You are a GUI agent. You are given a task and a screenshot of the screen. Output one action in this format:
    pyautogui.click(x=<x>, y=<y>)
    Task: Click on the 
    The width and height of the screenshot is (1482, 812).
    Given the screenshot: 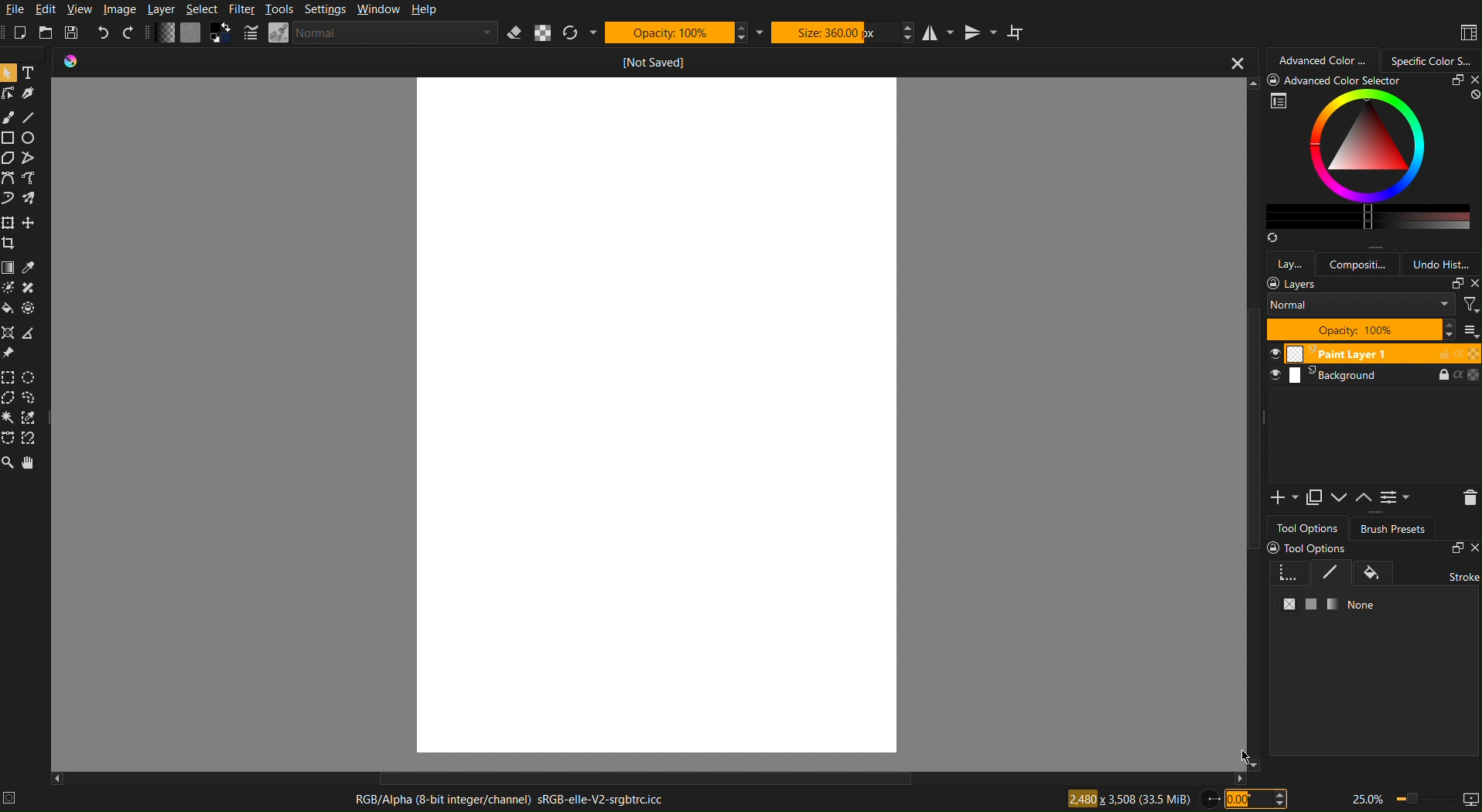 What is the action you would take?
    pyautogui.click(x=28, y=308)
    